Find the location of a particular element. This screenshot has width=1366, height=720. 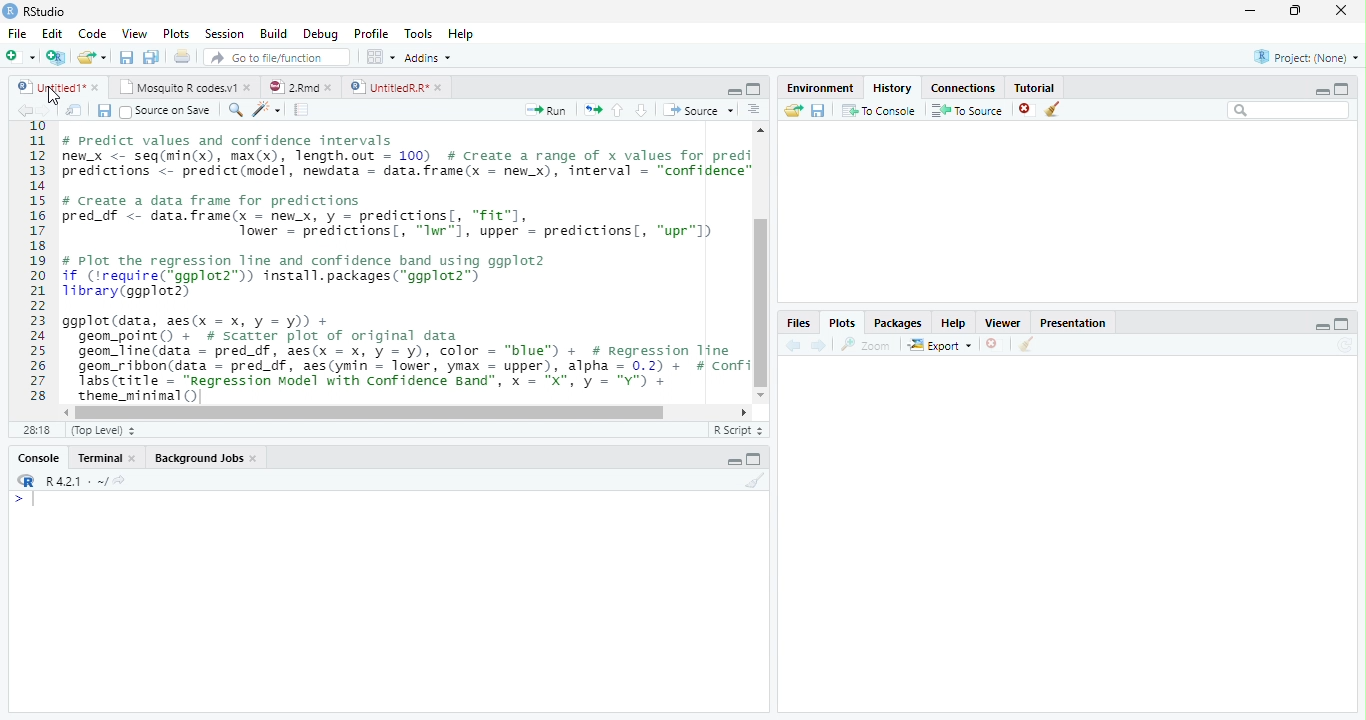

Connection is located at coordinates (963, 88).